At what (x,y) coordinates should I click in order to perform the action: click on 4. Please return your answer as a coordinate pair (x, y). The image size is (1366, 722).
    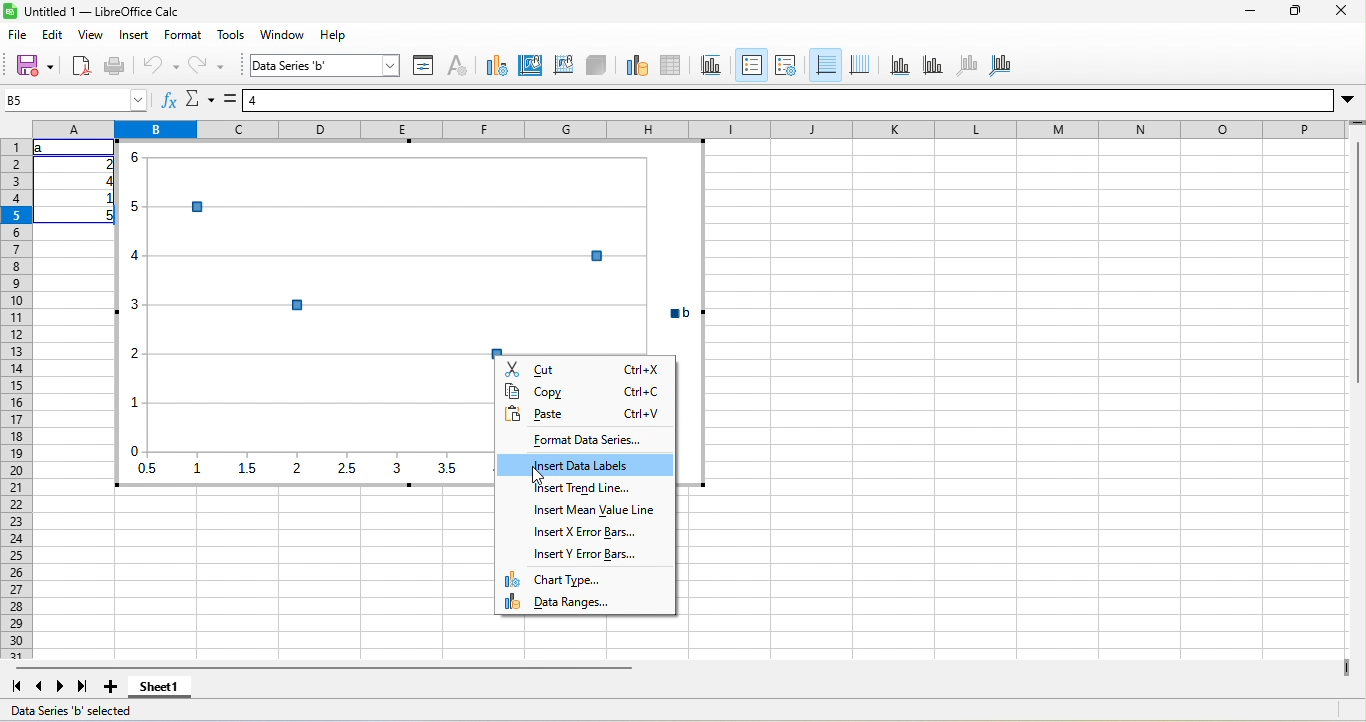
    Looking at the image, I should click on (106, 181).